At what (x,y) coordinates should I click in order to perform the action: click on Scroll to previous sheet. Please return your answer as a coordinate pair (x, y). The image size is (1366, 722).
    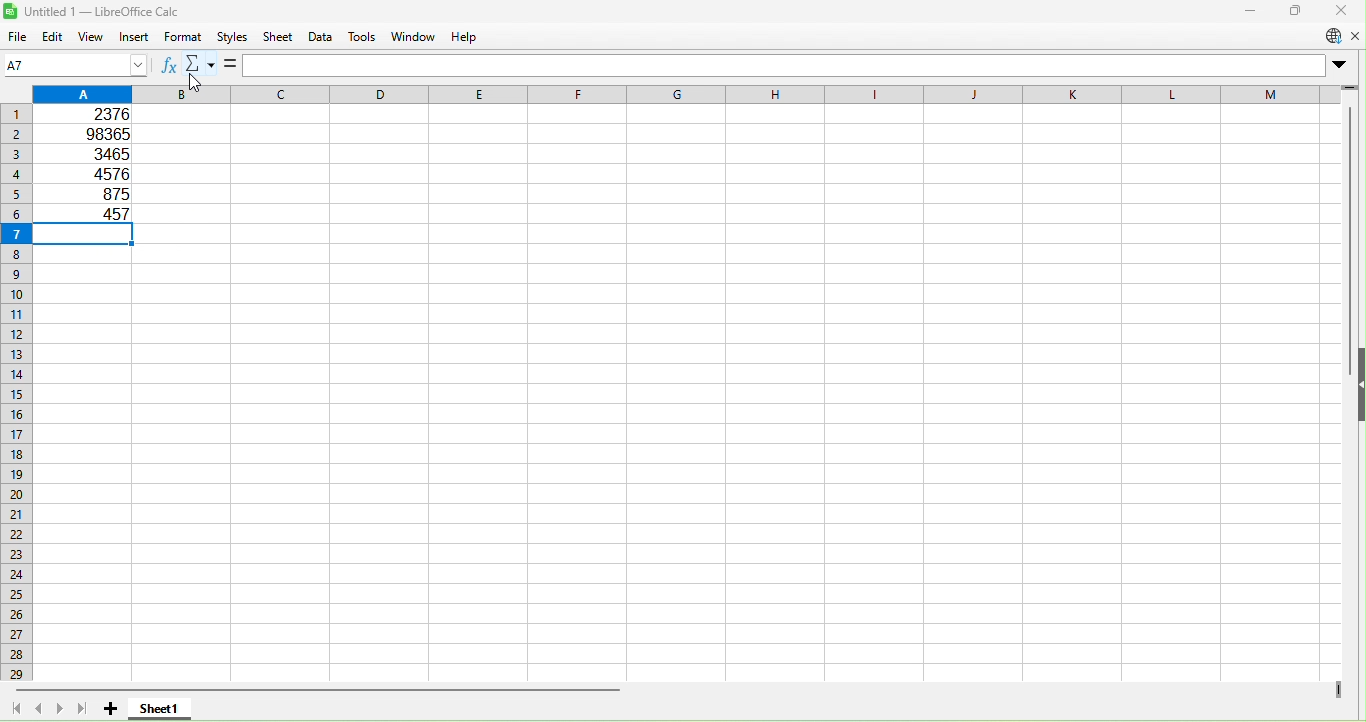
    Looking at the image, I should click on (41, 706).